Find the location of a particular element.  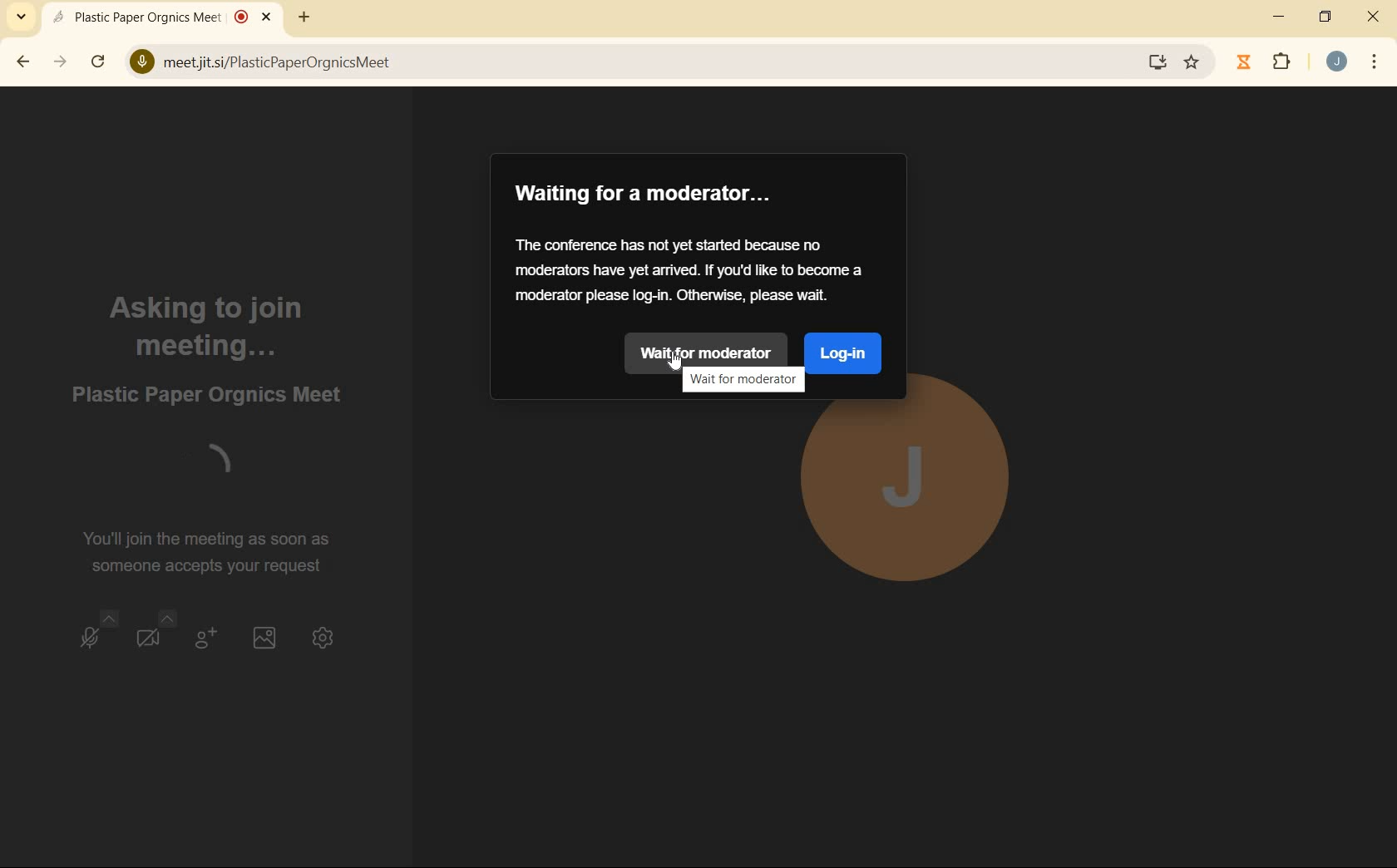

customize google chrome is located at coordinates (1375, 62).